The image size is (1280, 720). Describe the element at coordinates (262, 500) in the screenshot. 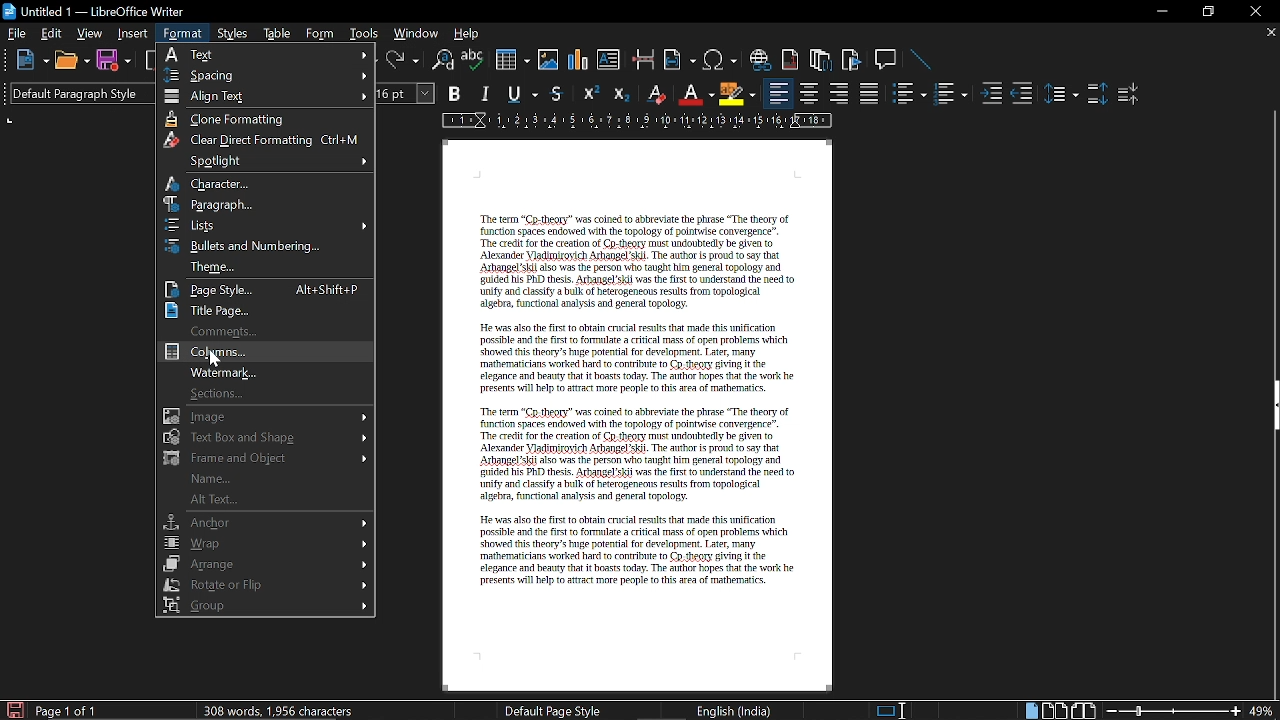

I see `Alt text` at that location.